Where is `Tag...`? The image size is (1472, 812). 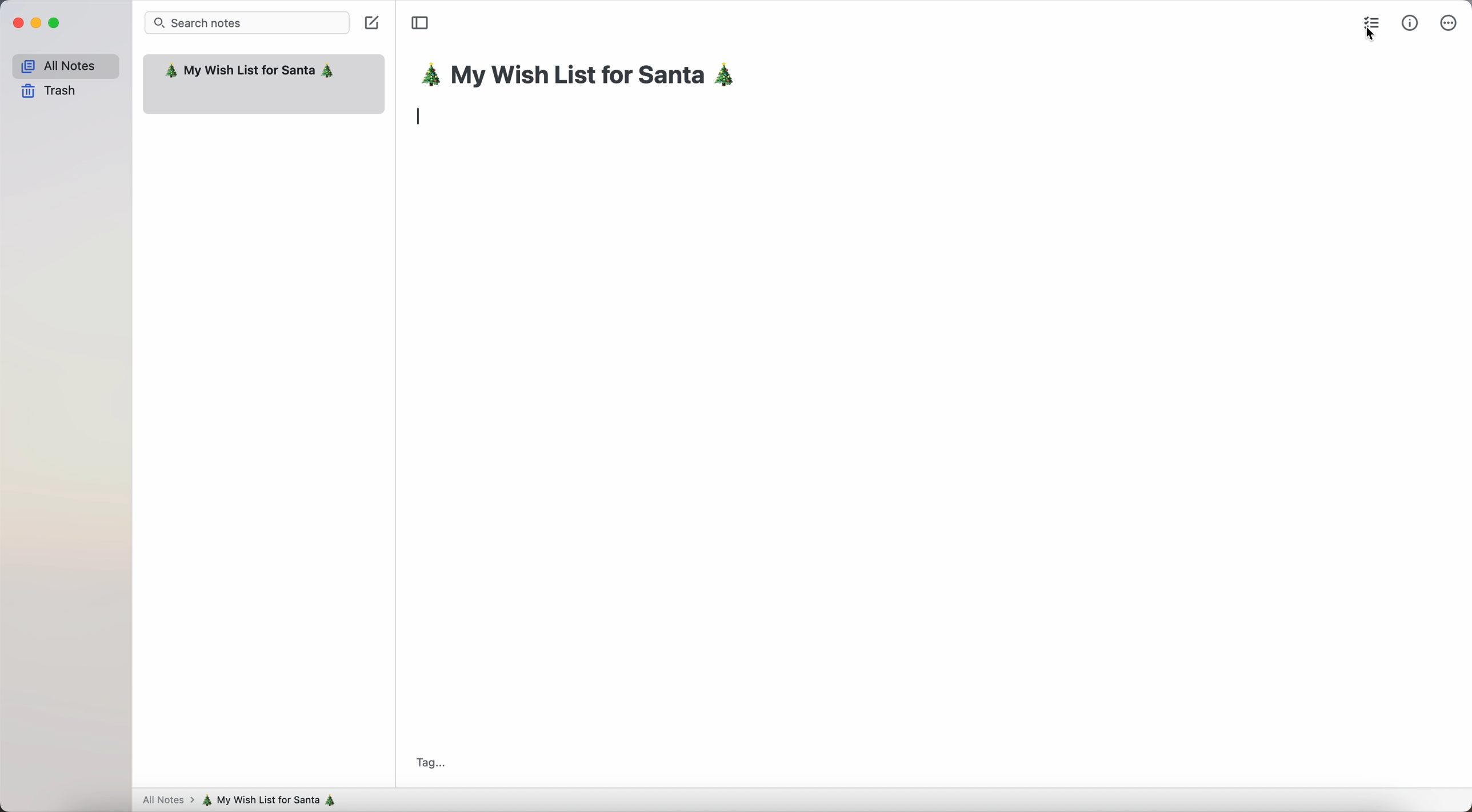 Tag... is located at coordinates (430, 763).